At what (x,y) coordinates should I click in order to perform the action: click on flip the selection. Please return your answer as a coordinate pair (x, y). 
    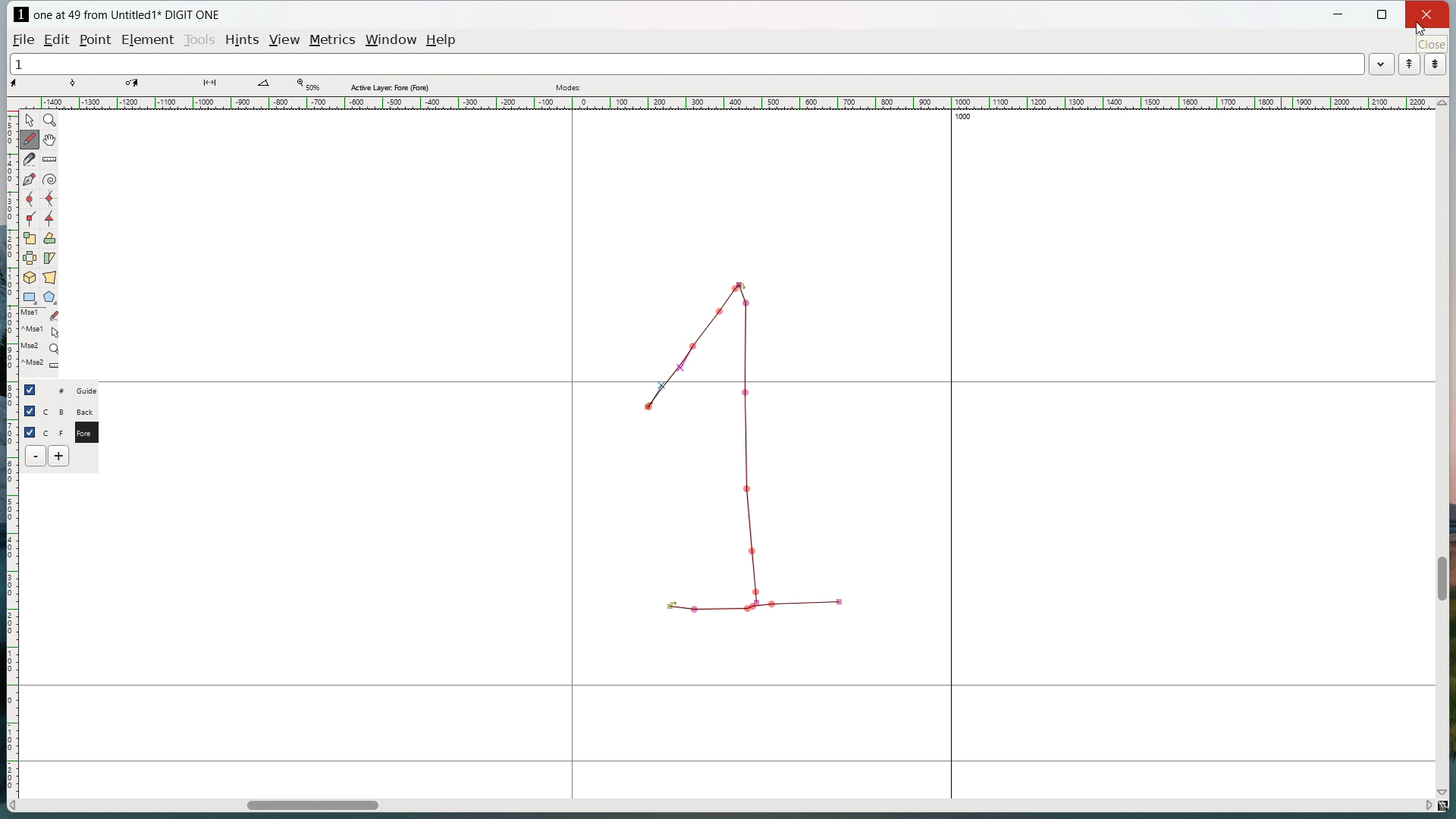
    Looking at the image, I should click on (30, 258).